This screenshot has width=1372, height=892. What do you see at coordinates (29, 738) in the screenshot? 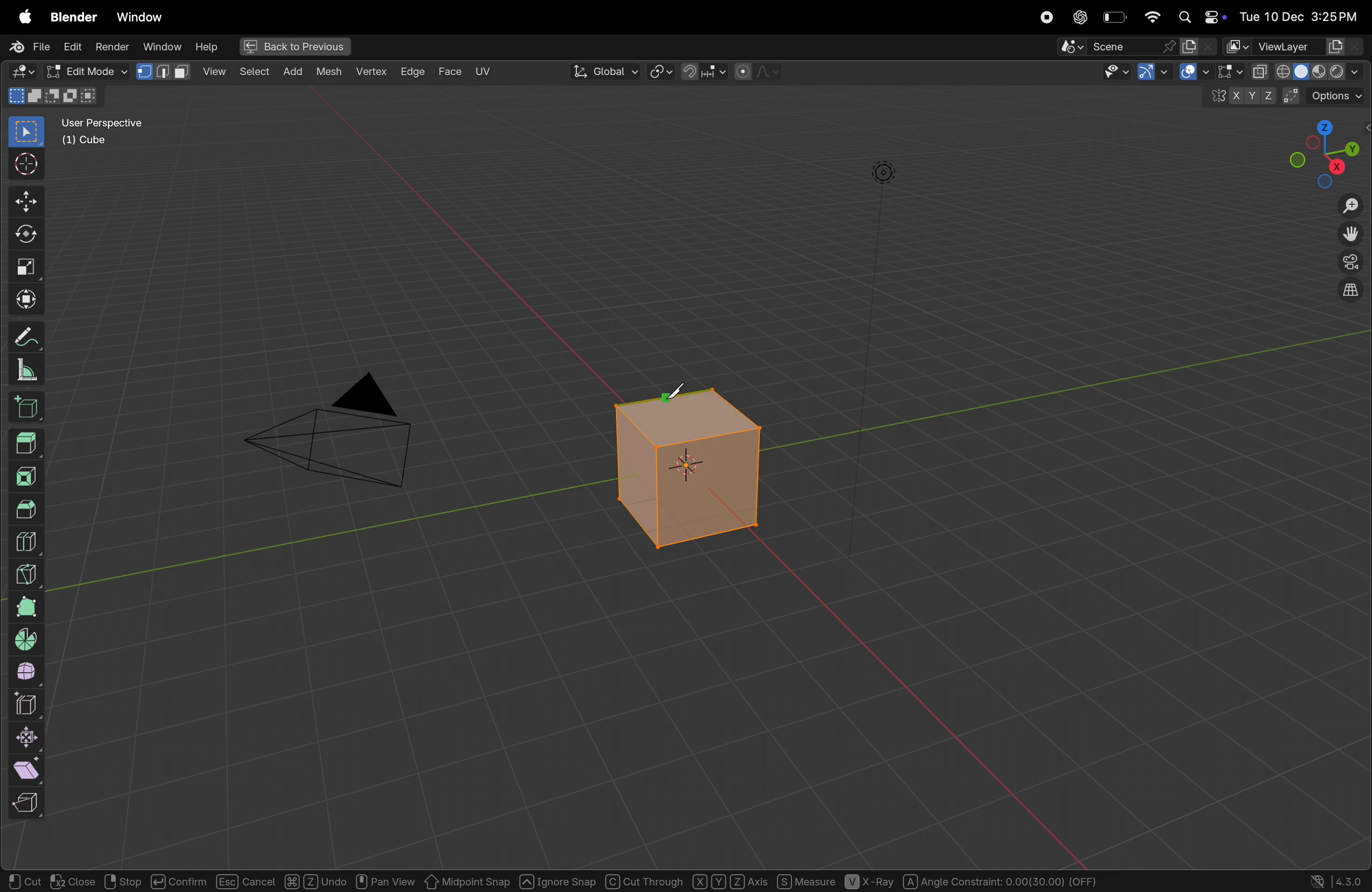
I see `sink faten` at bounding box center [29, 738].